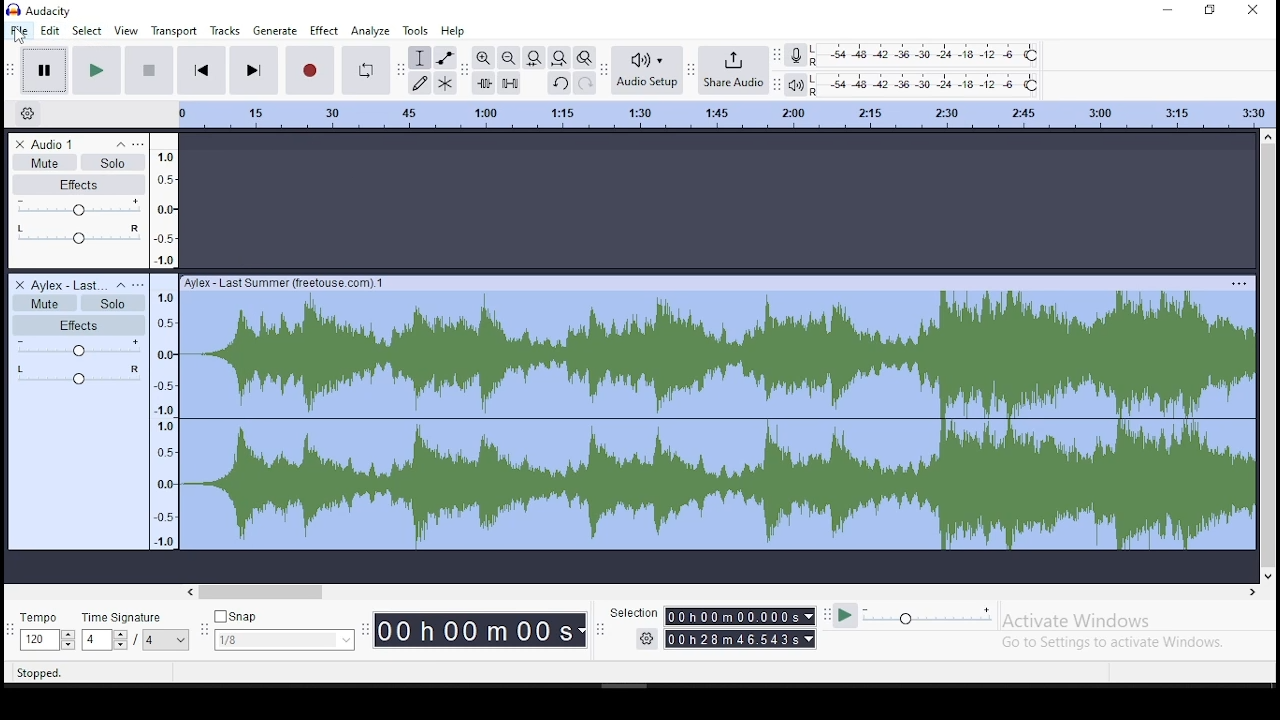  Describe the element at coordinates (324, 31) in the screenshot. I see `effect` at that location.